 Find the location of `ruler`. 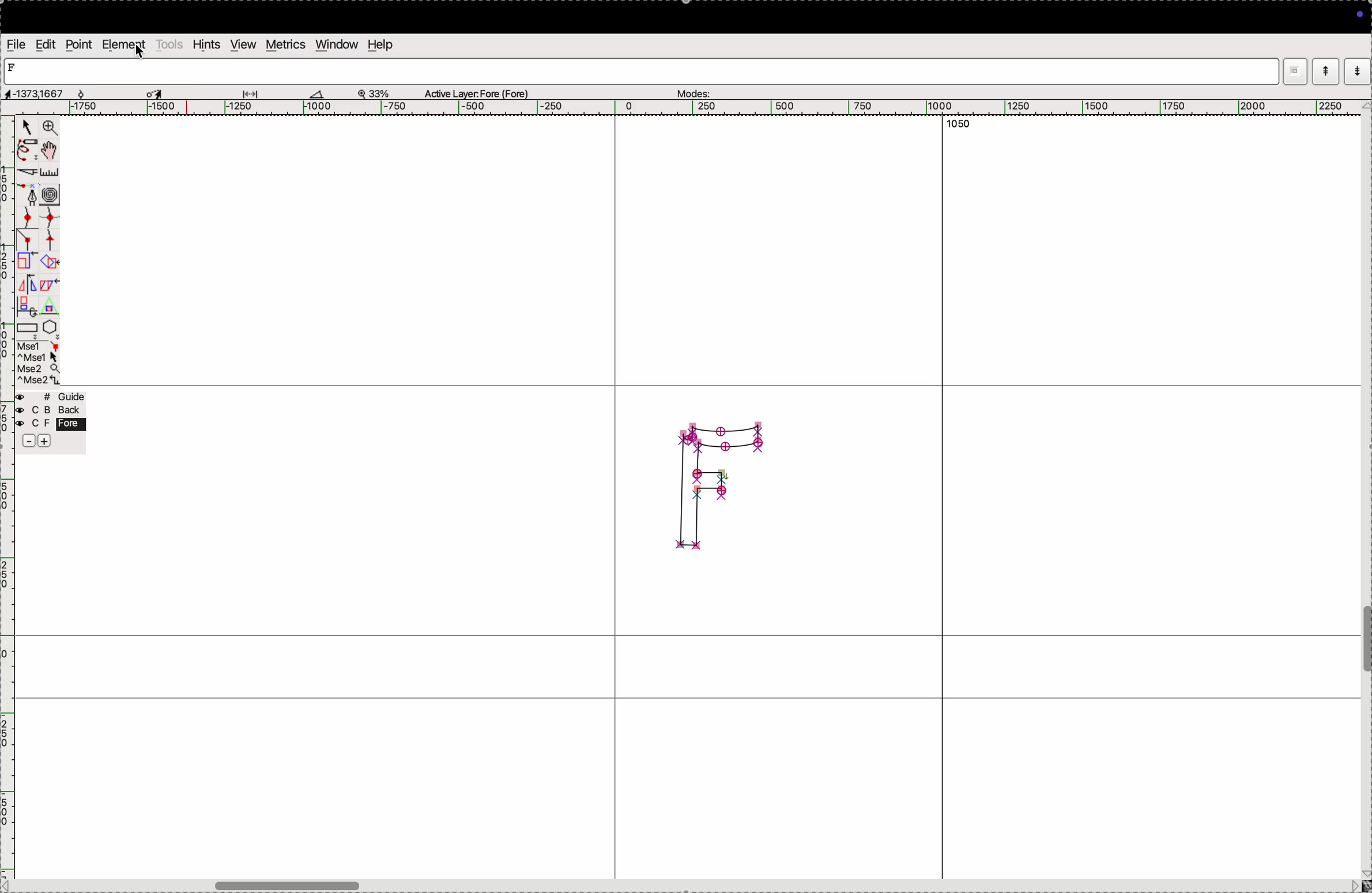

ruler is located at coordinates (56, 173).